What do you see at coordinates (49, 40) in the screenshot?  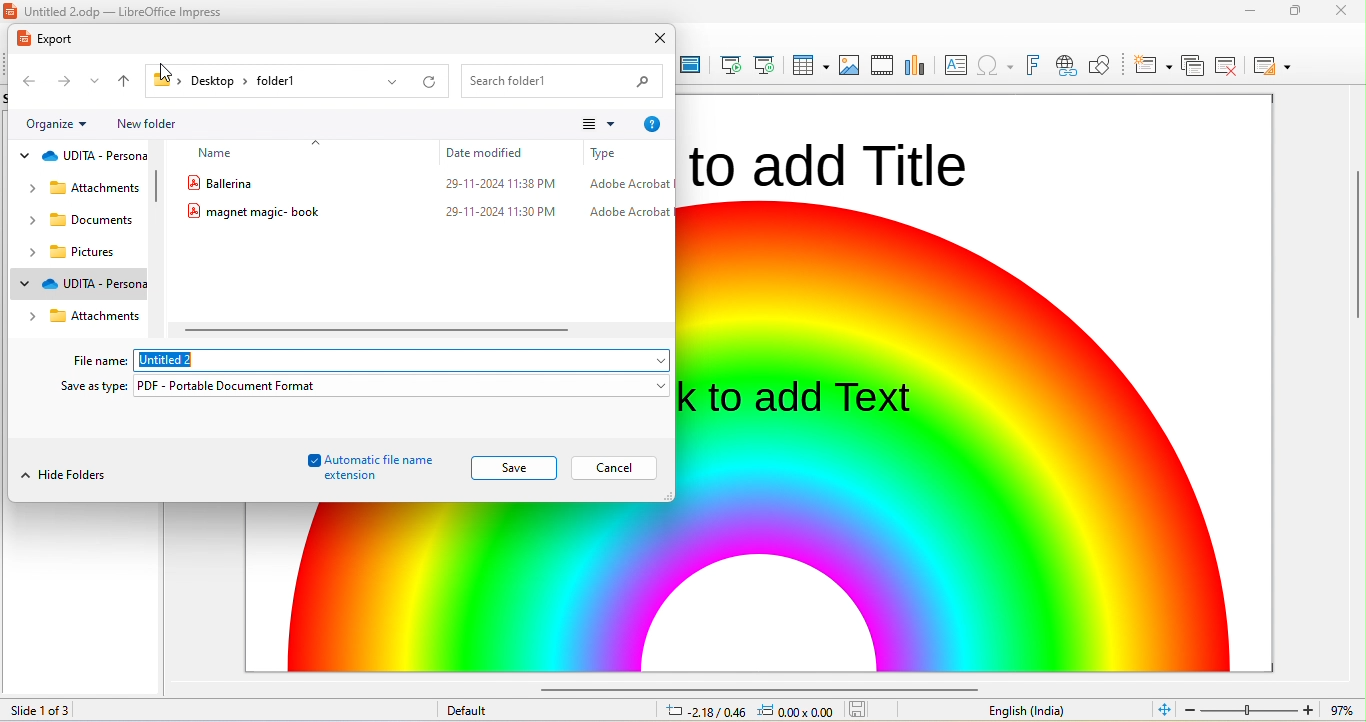 I see `export` at bounding box center [49, 40].